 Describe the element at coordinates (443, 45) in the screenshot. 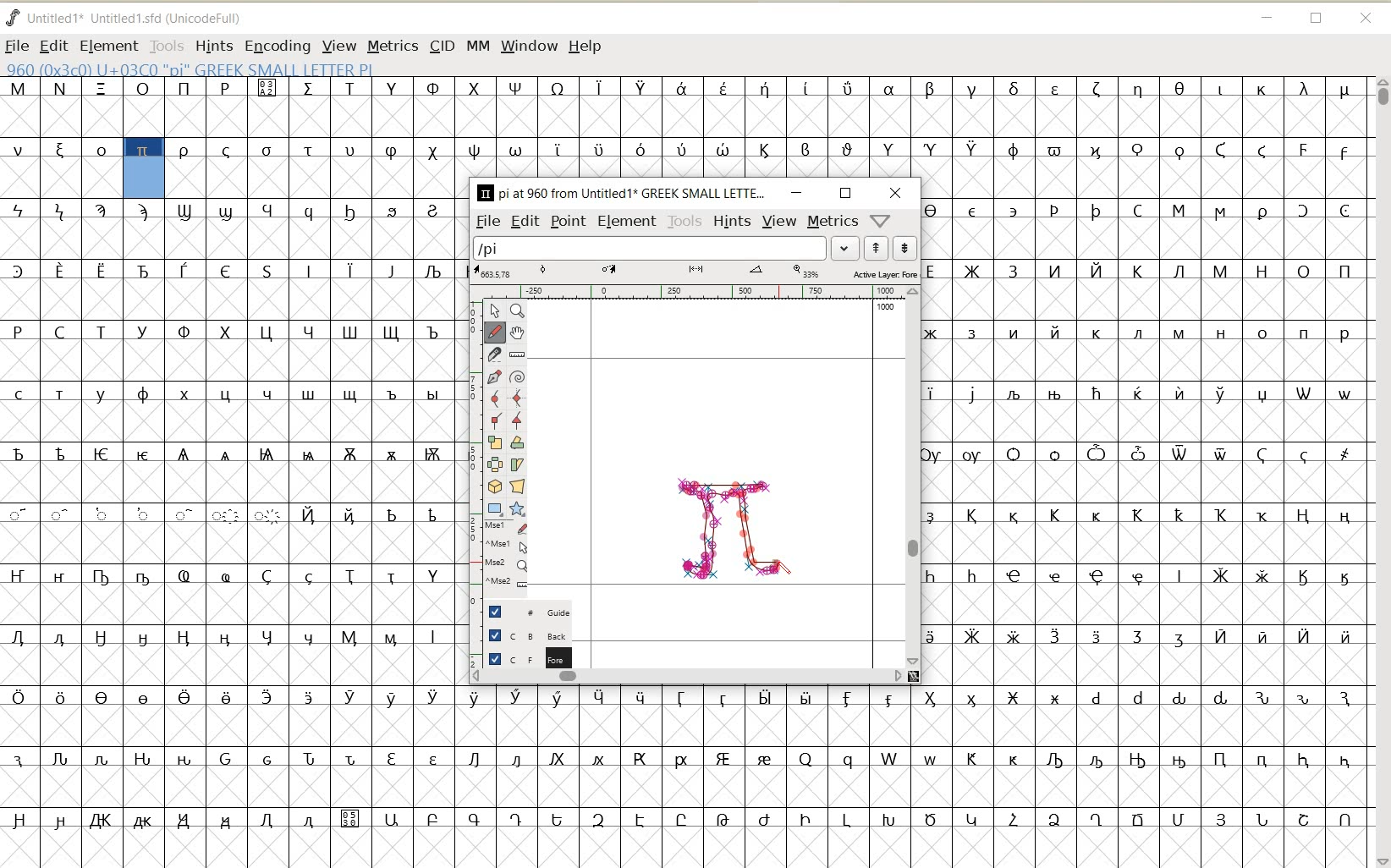

I see `CID` at that location.